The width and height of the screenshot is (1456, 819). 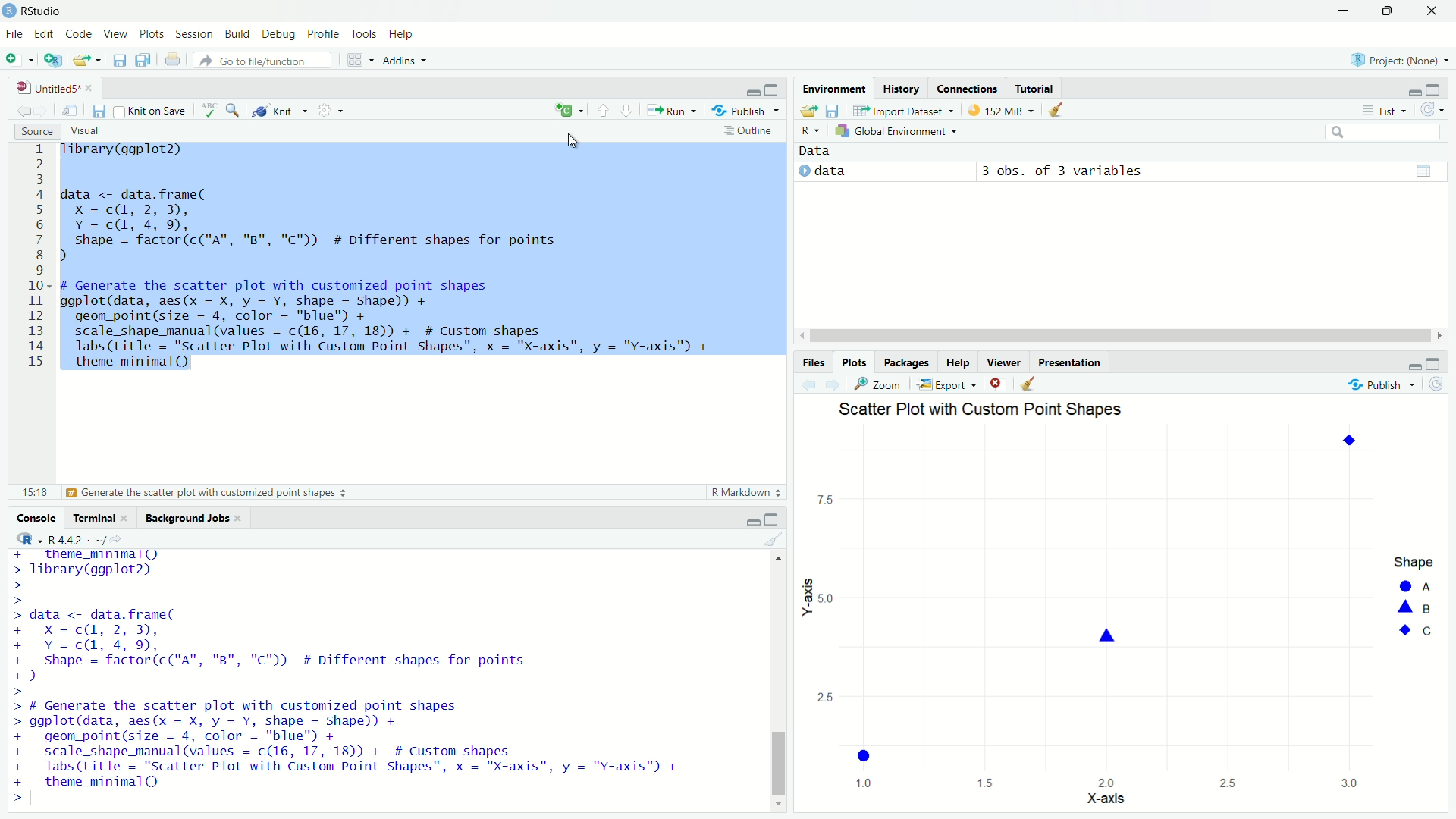 What do you see at coordinates (322, 33) in the screenshot?
I see `Profile` at bounding box center [322, 33].